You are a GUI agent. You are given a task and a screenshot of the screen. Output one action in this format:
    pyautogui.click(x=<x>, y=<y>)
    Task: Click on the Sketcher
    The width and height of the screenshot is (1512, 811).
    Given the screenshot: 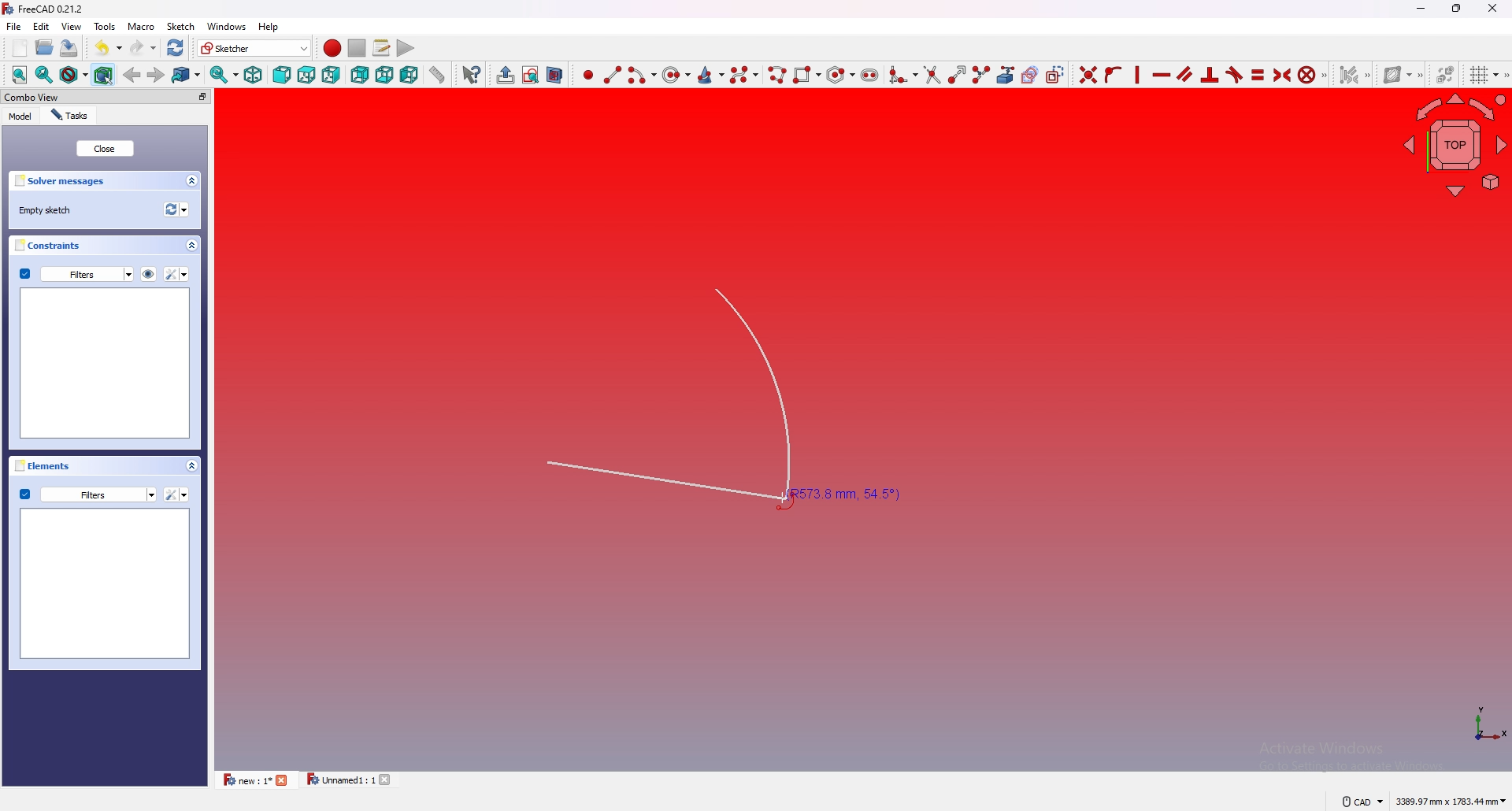 What is the action you would take?
    pyautogui.click(x=254, y=48)
    